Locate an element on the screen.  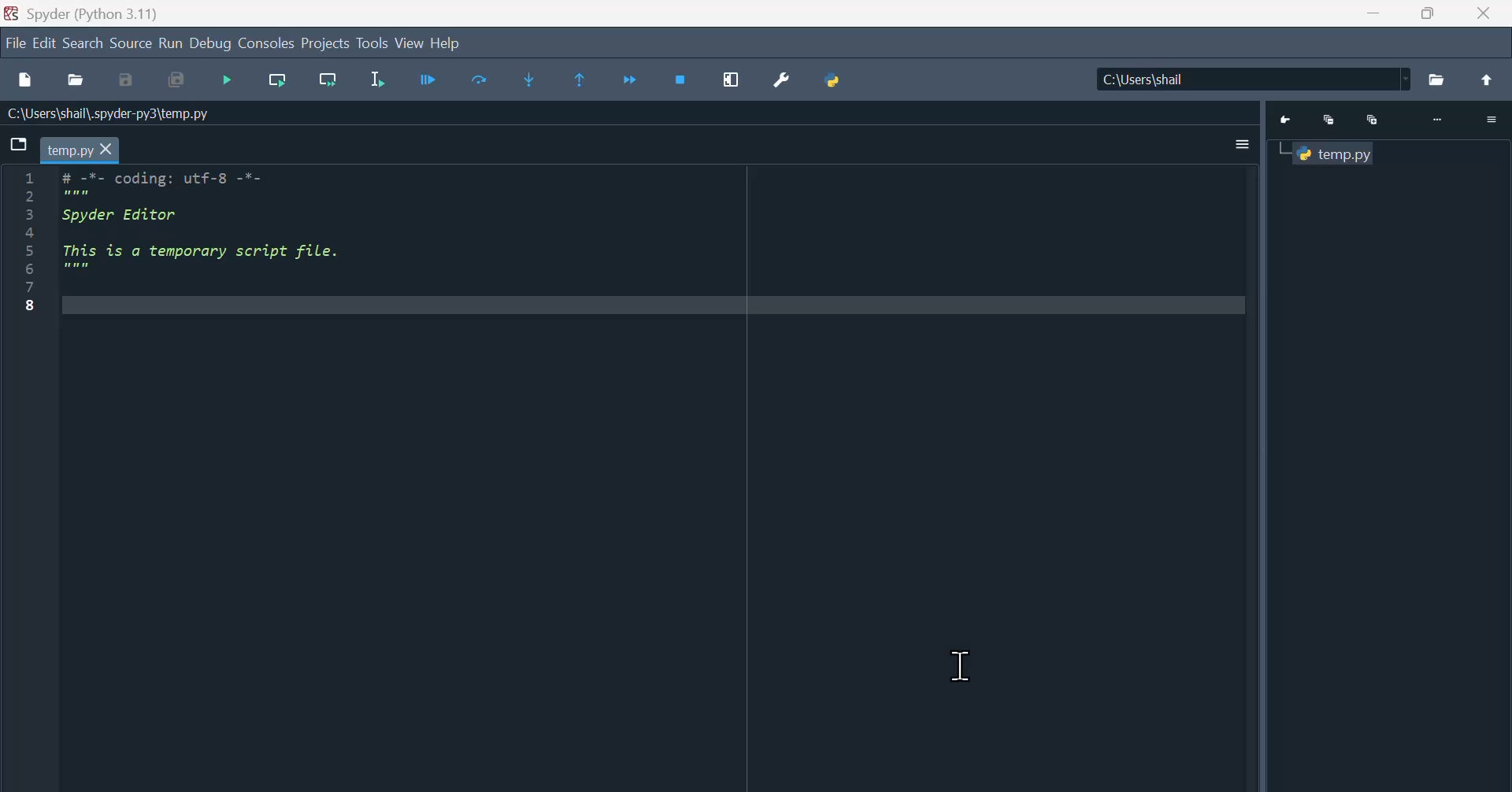
New file is located at coordinates (28, 79).